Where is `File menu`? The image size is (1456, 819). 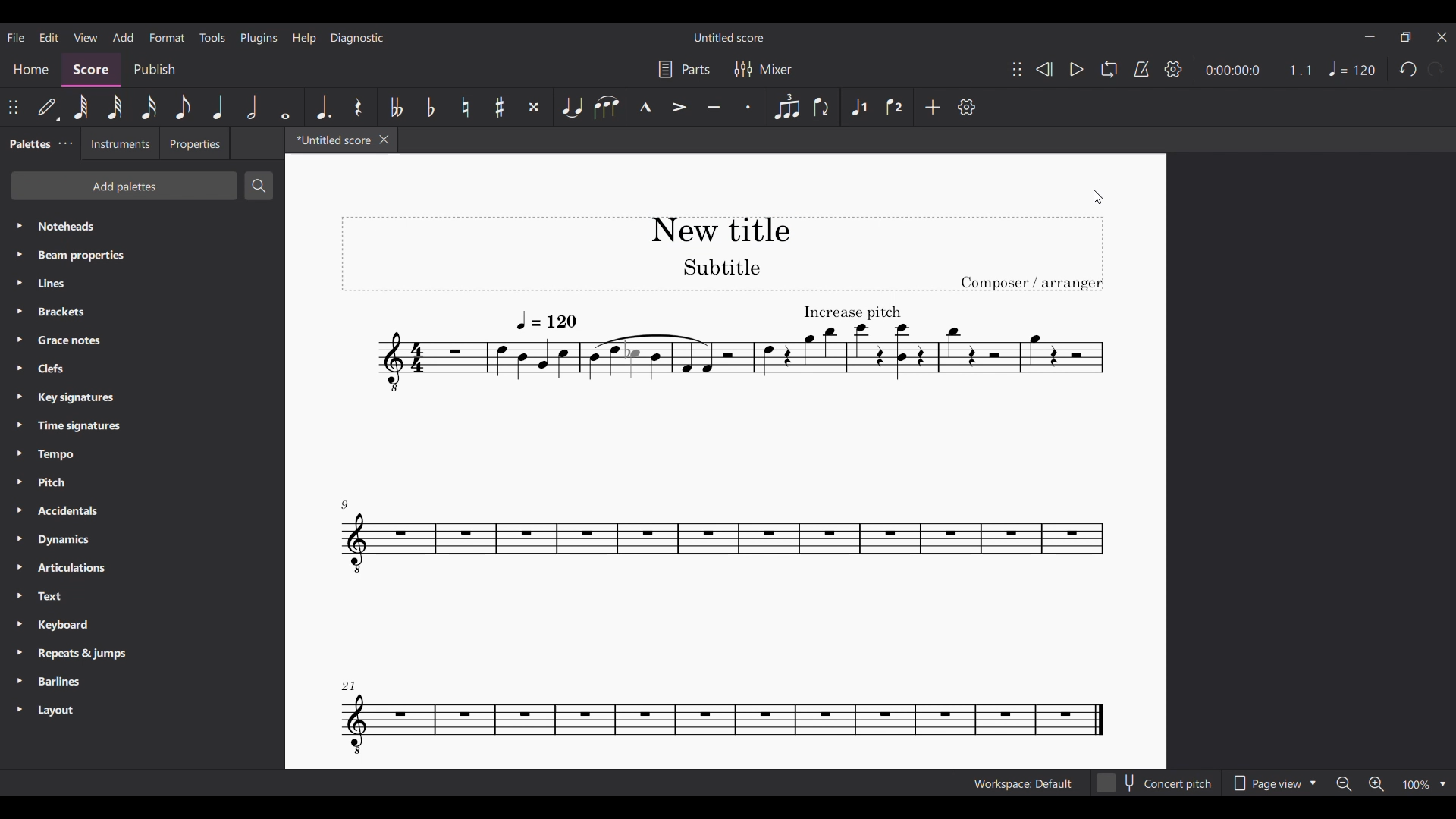 File menu is located at coordinates (17, 38).